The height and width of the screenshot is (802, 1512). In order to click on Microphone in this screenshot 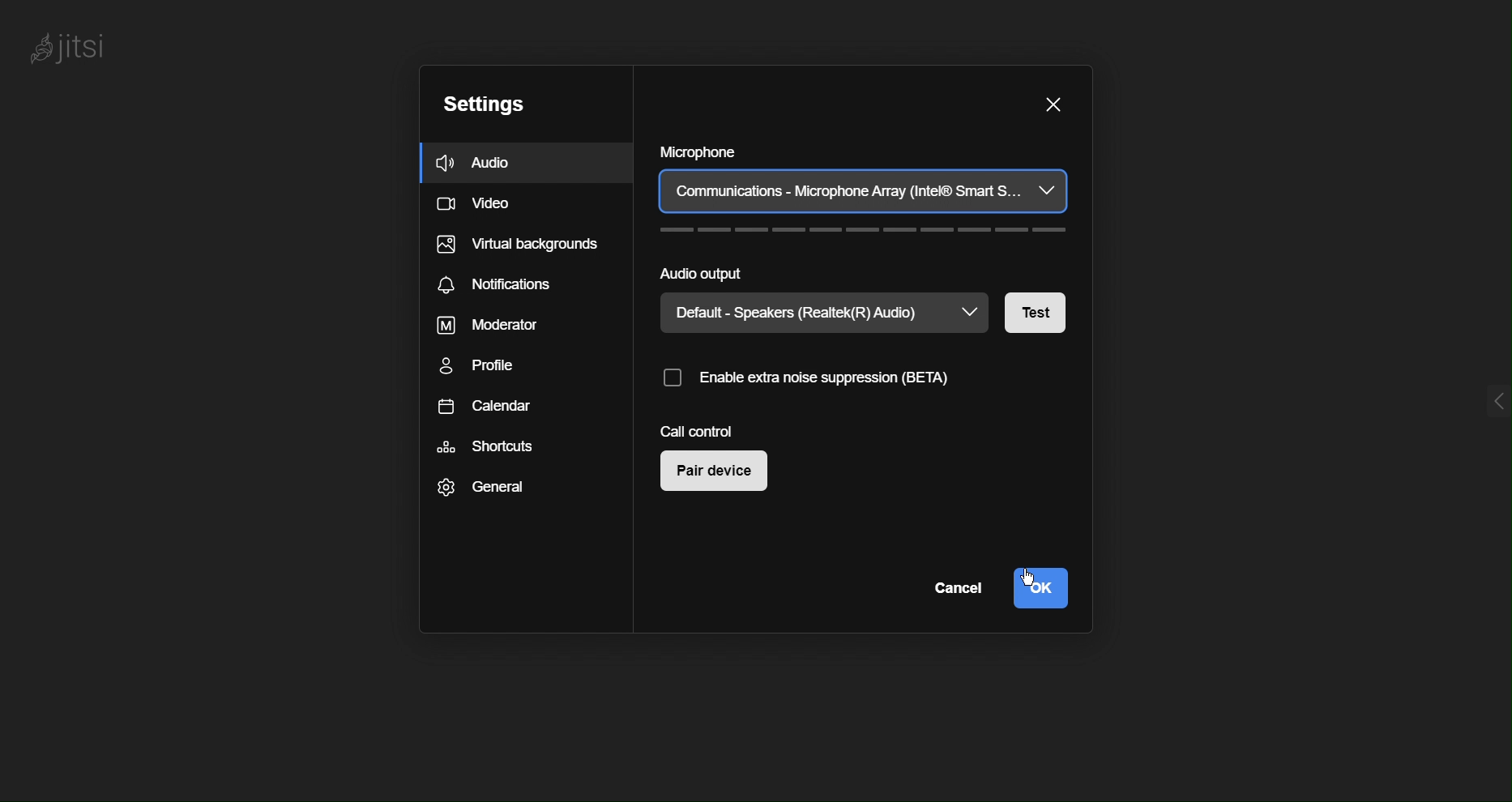, I will do `click(864, 149)`.